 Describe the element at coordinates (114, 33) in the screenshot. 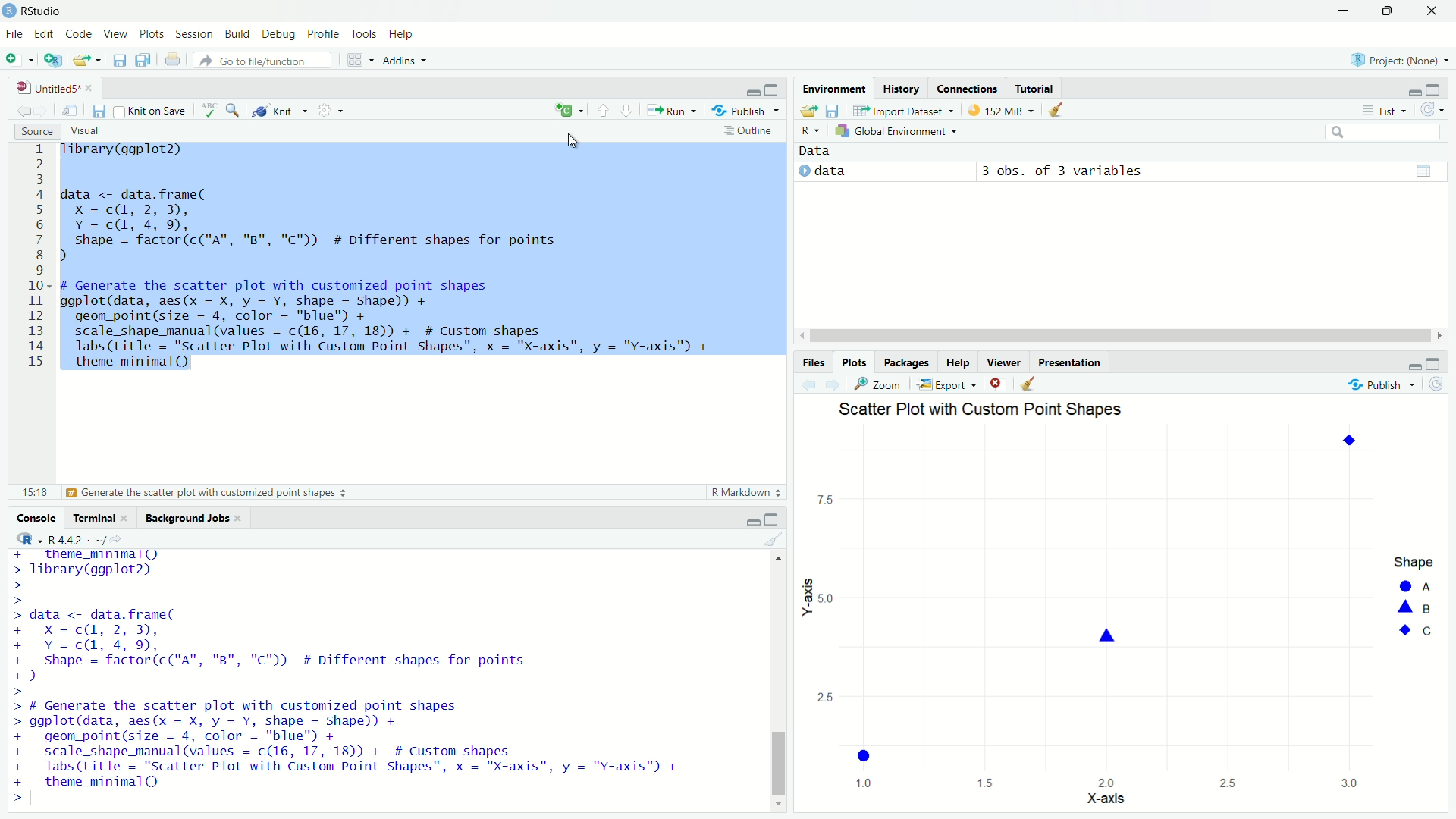

I see `View` at that location.